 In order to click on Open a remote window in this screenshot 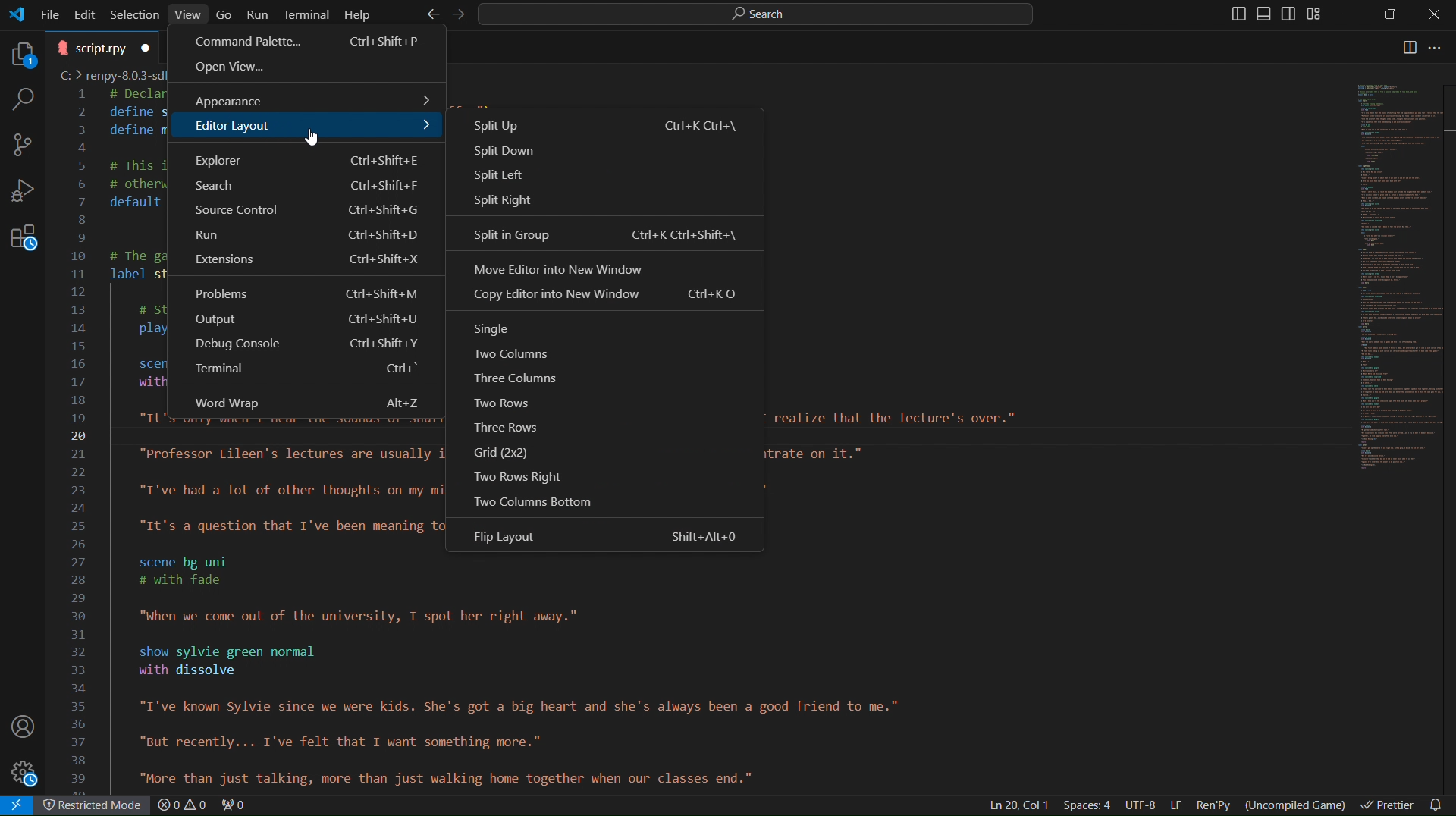, I will do `click(20, 805)`.